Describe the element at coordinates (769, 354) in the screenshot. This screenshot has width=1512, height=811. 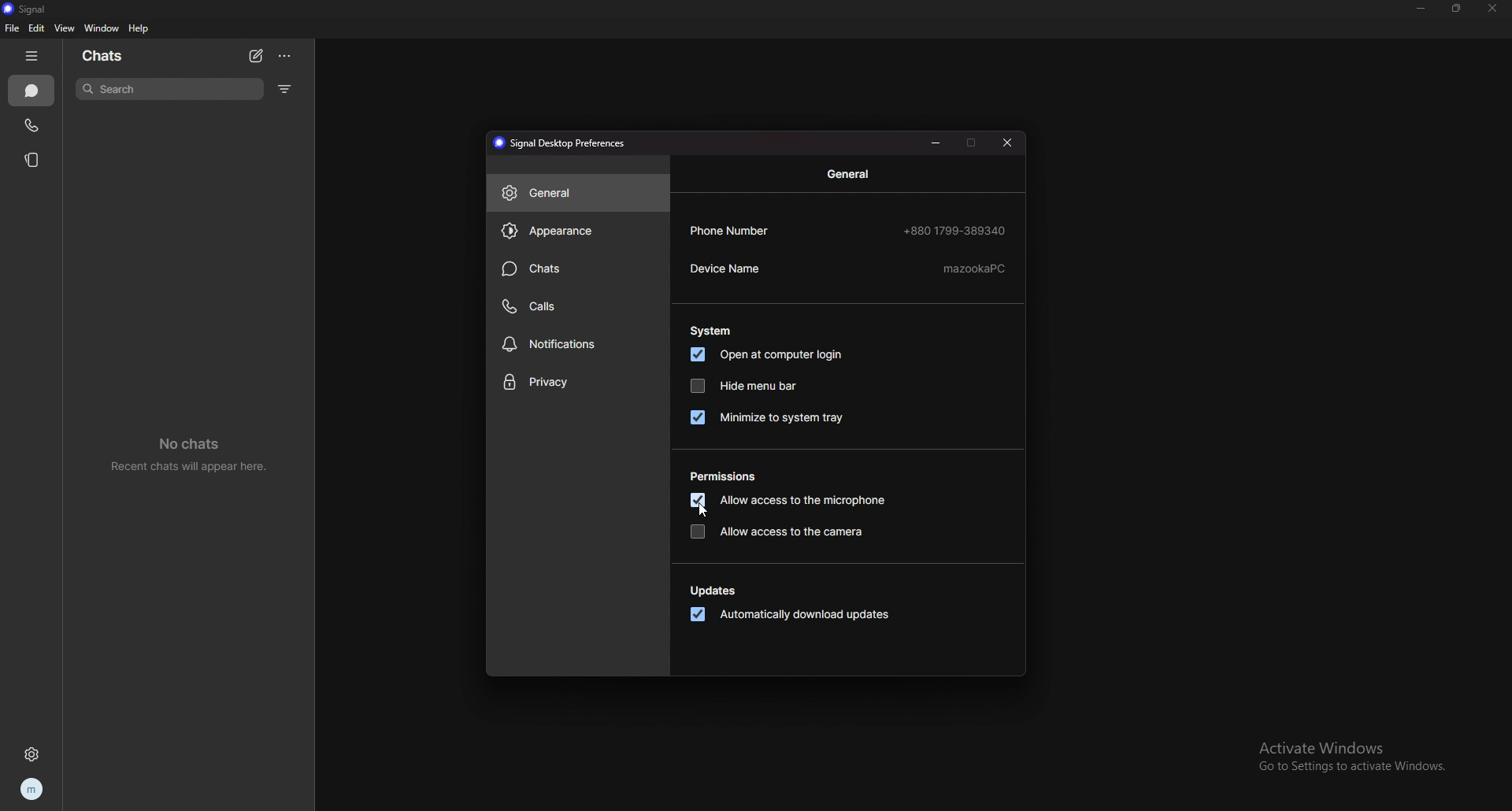
I see `open at computer login` at that location.